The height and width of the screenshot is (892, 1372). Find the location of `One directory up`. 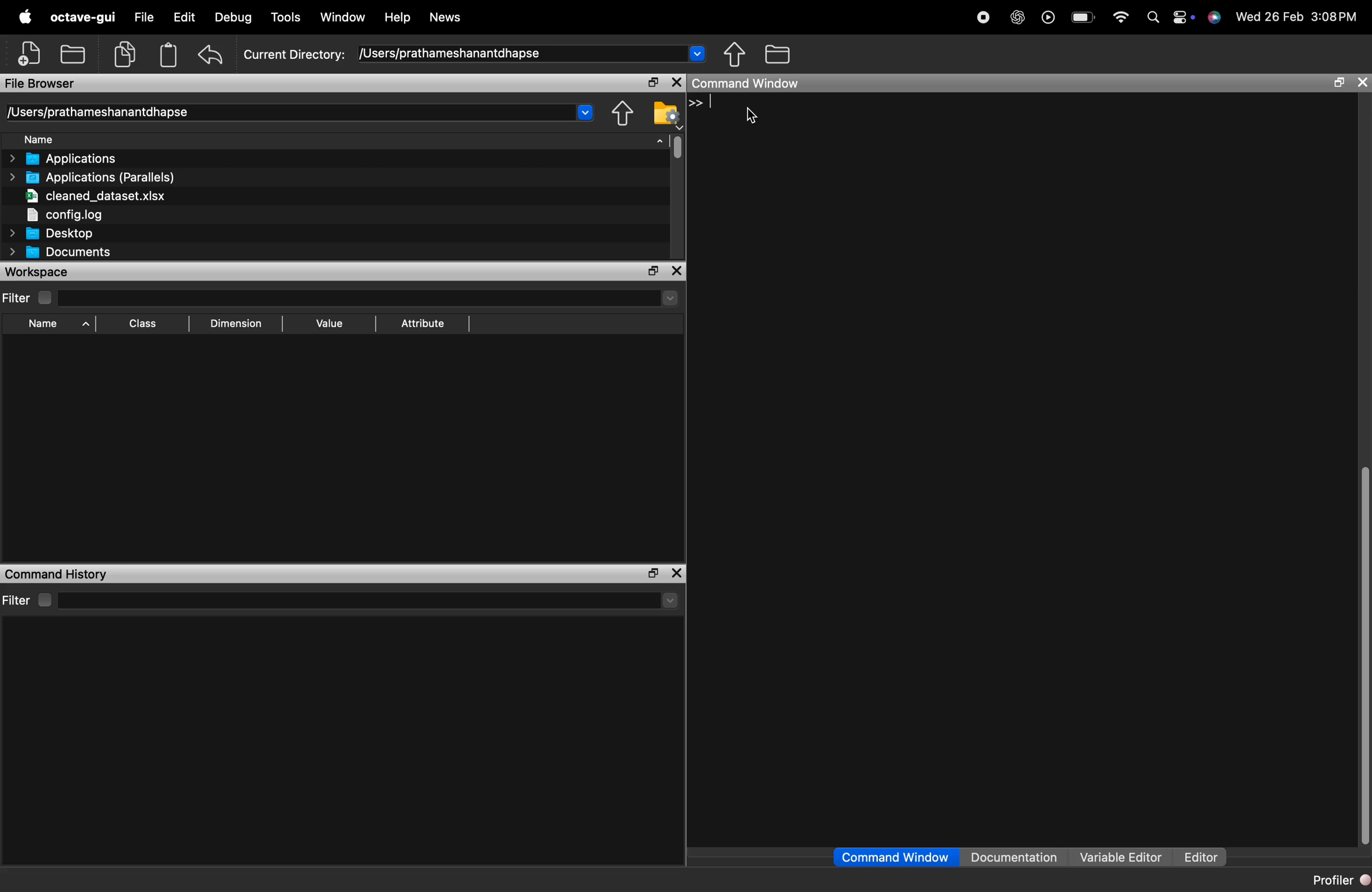

One directory up is located at coordinates (777, 55).